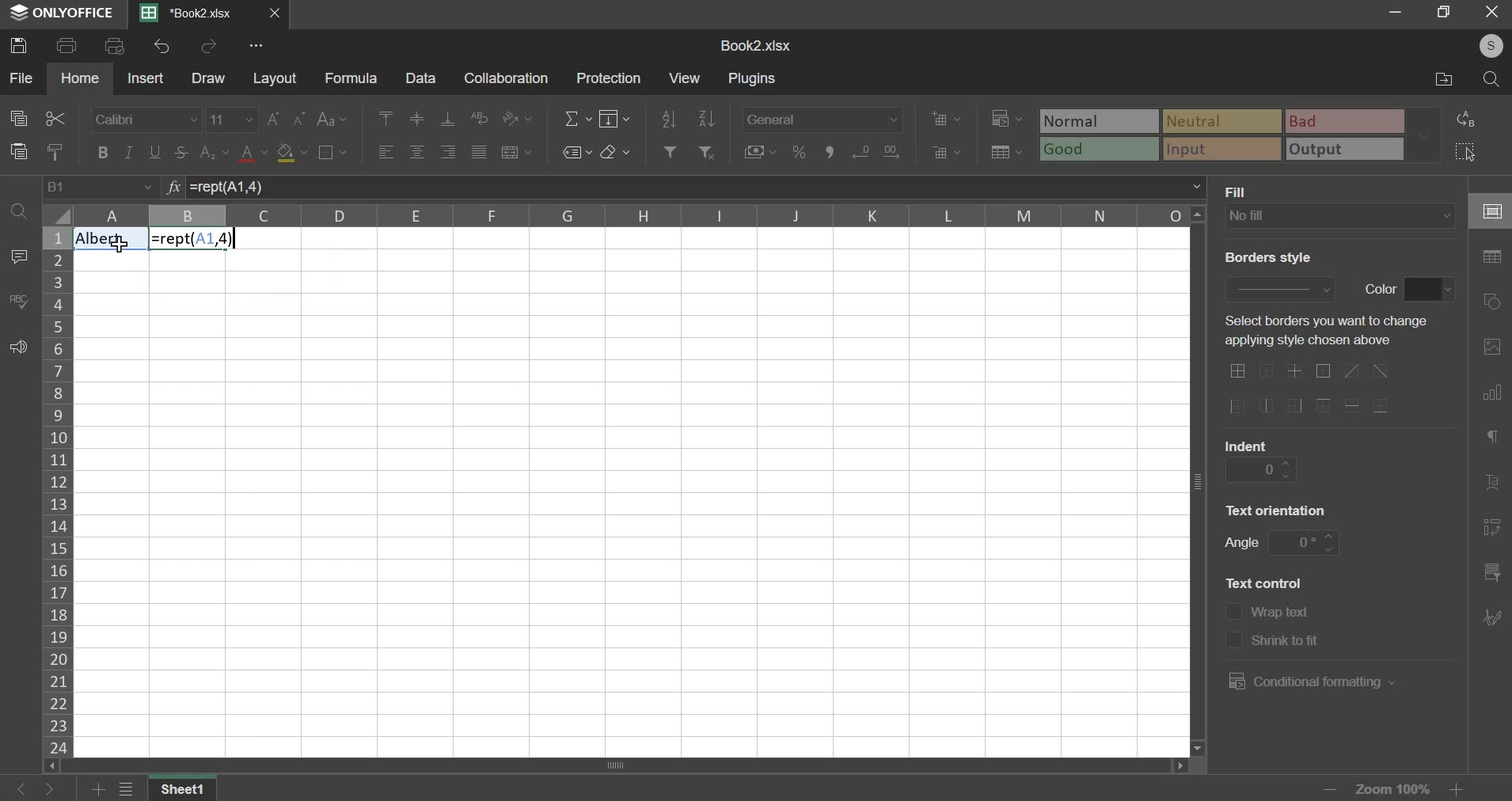 This screenshot has width=1512, height=801. What do you see at coordinates (799, 151) in the screenshot?
I see `percentage` at bounding box center [799, 151].